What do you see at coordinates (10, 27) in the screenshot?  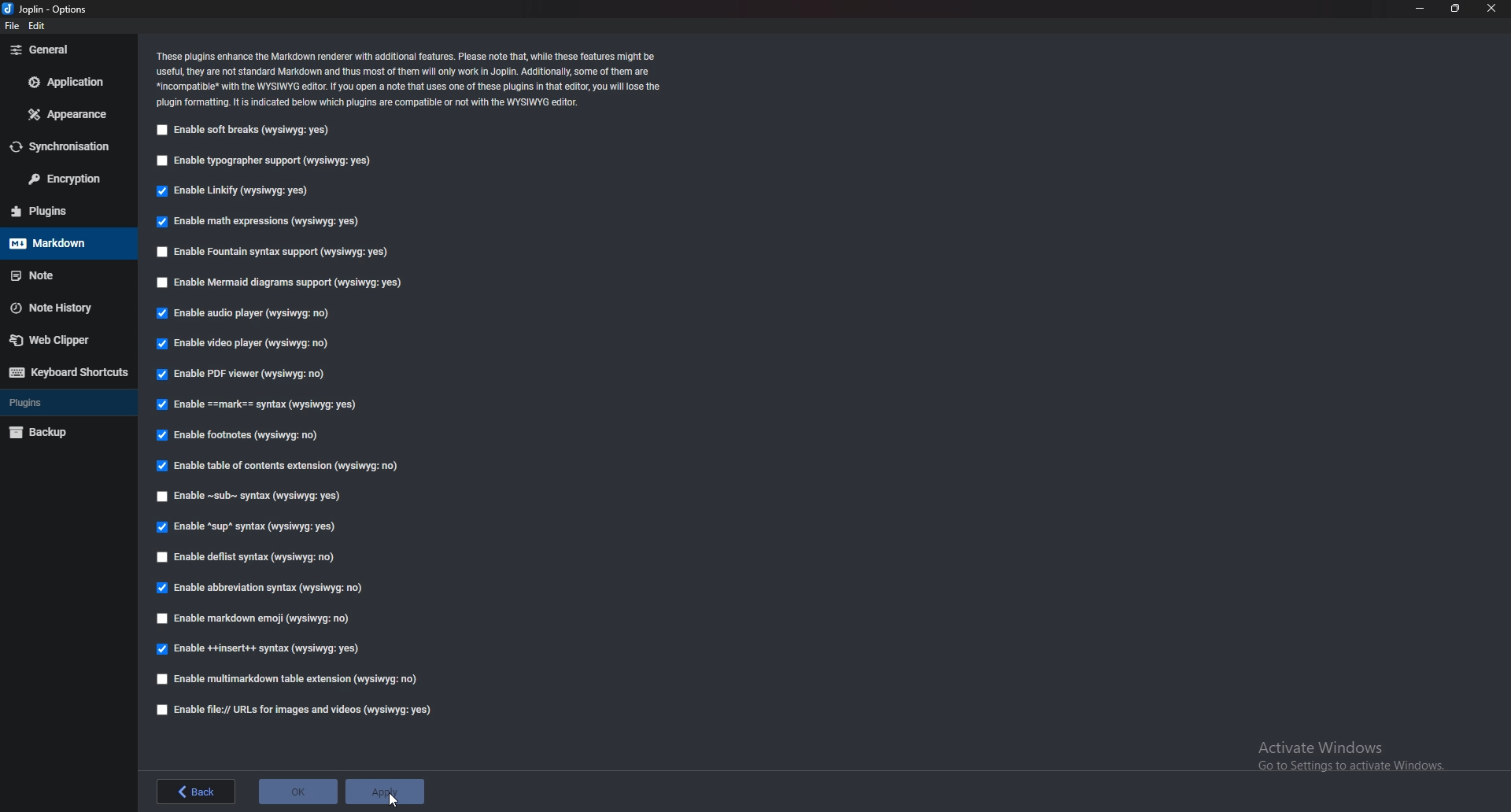 I see `file` at bounding box center [10, 27].